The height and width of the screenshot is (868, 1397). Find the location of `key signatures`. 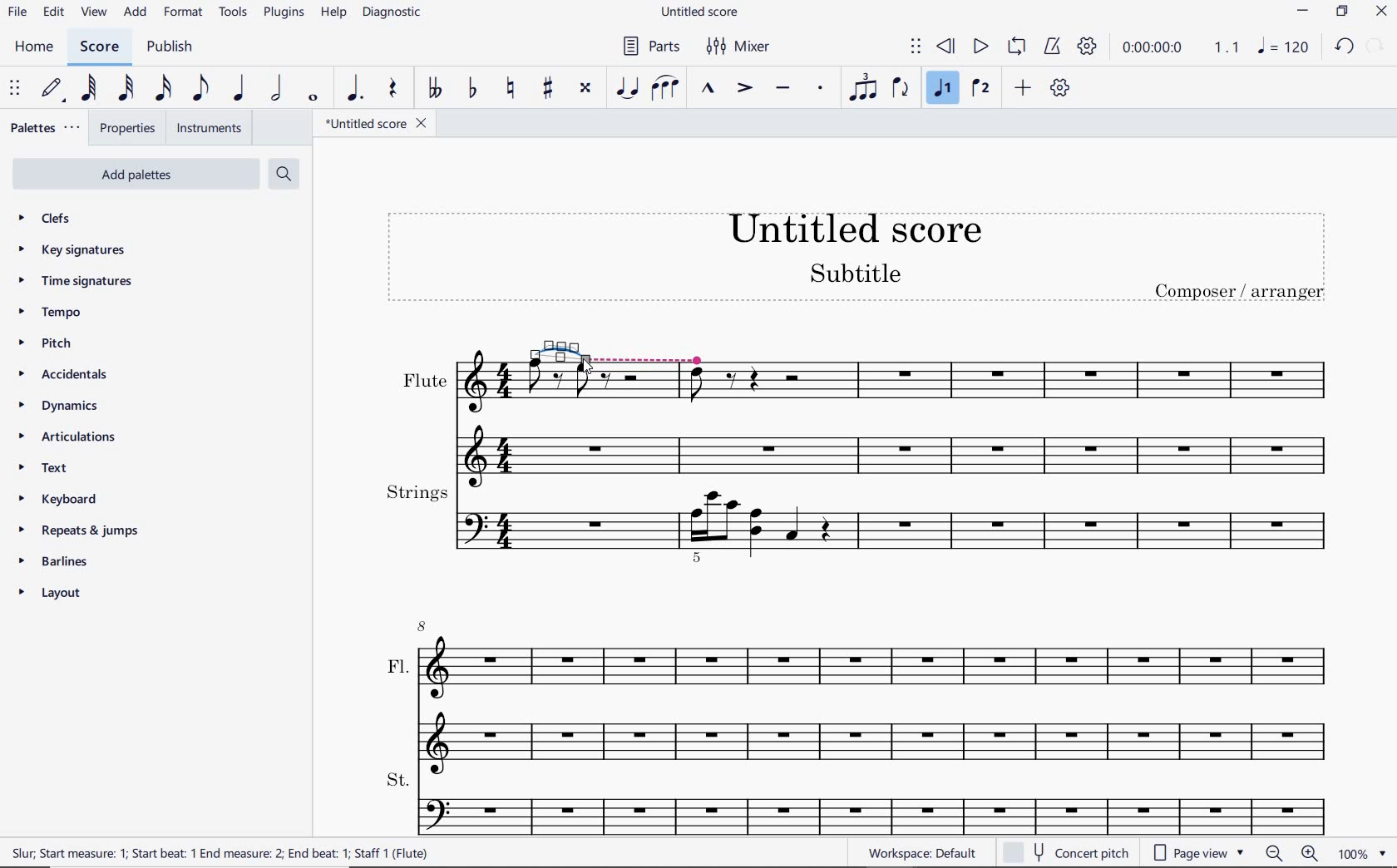

key signatures is located at coordinates (72, 250).